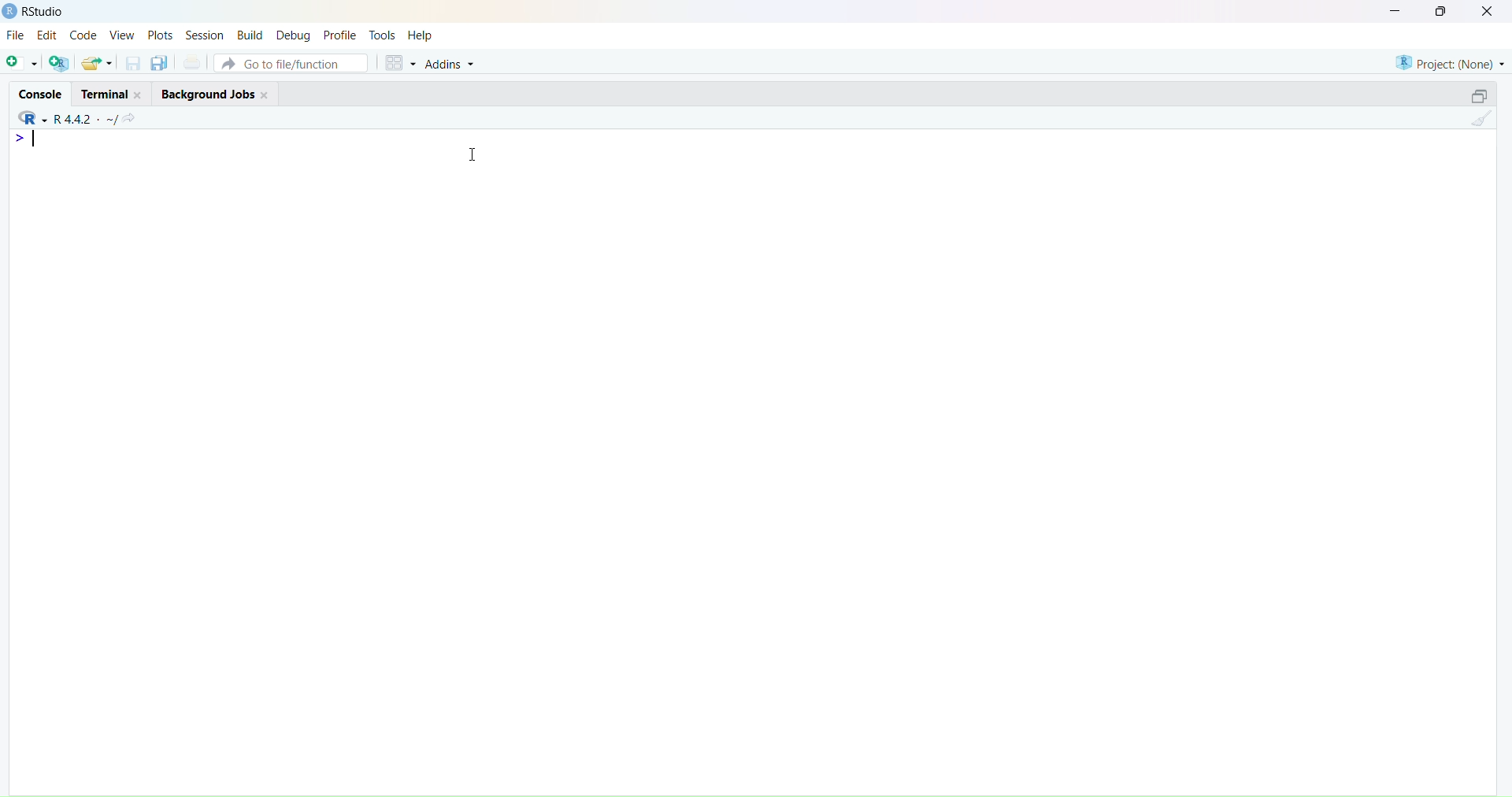 Image resolution: width=1512 pixels, height=797 pixels. I want to click on build, so click(252, 36).